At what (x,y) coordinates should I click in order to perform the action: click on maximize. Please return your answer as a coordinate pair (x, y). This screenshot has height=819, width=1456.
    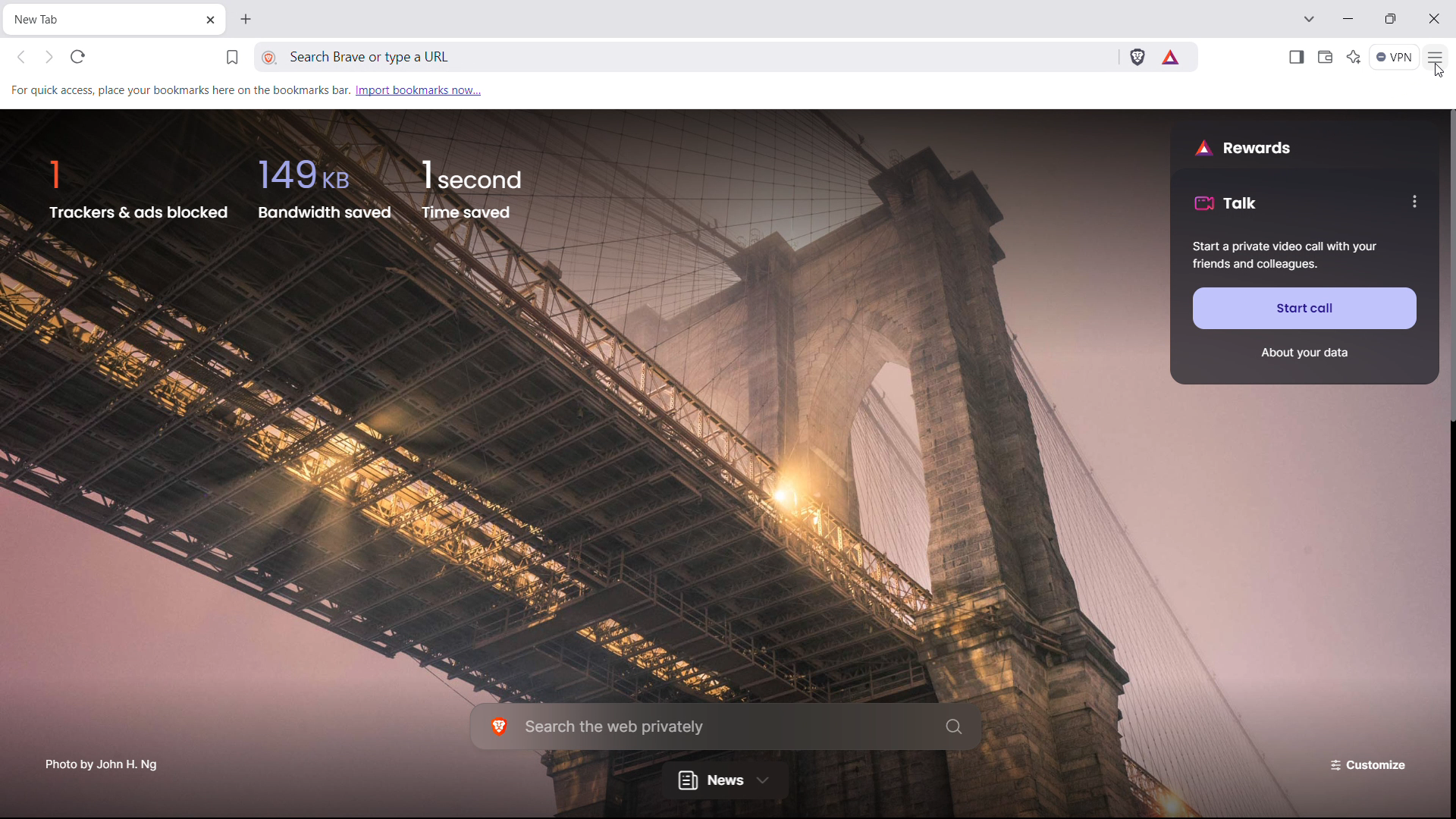
    Looking at the image, I should click on (1392, 19).